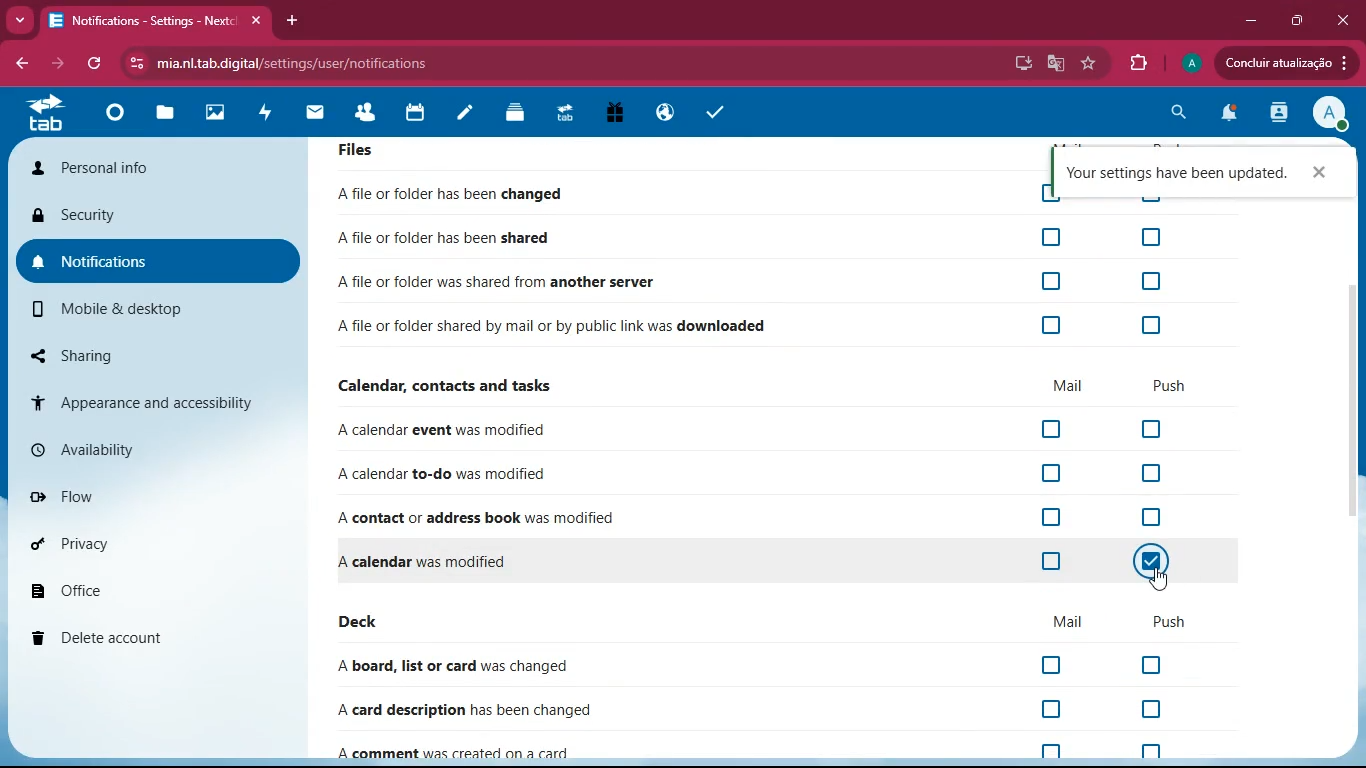  What do you see at coordinates (1150, 752) in the screenshot?
I see `off` at bounding box center [1150, 752].